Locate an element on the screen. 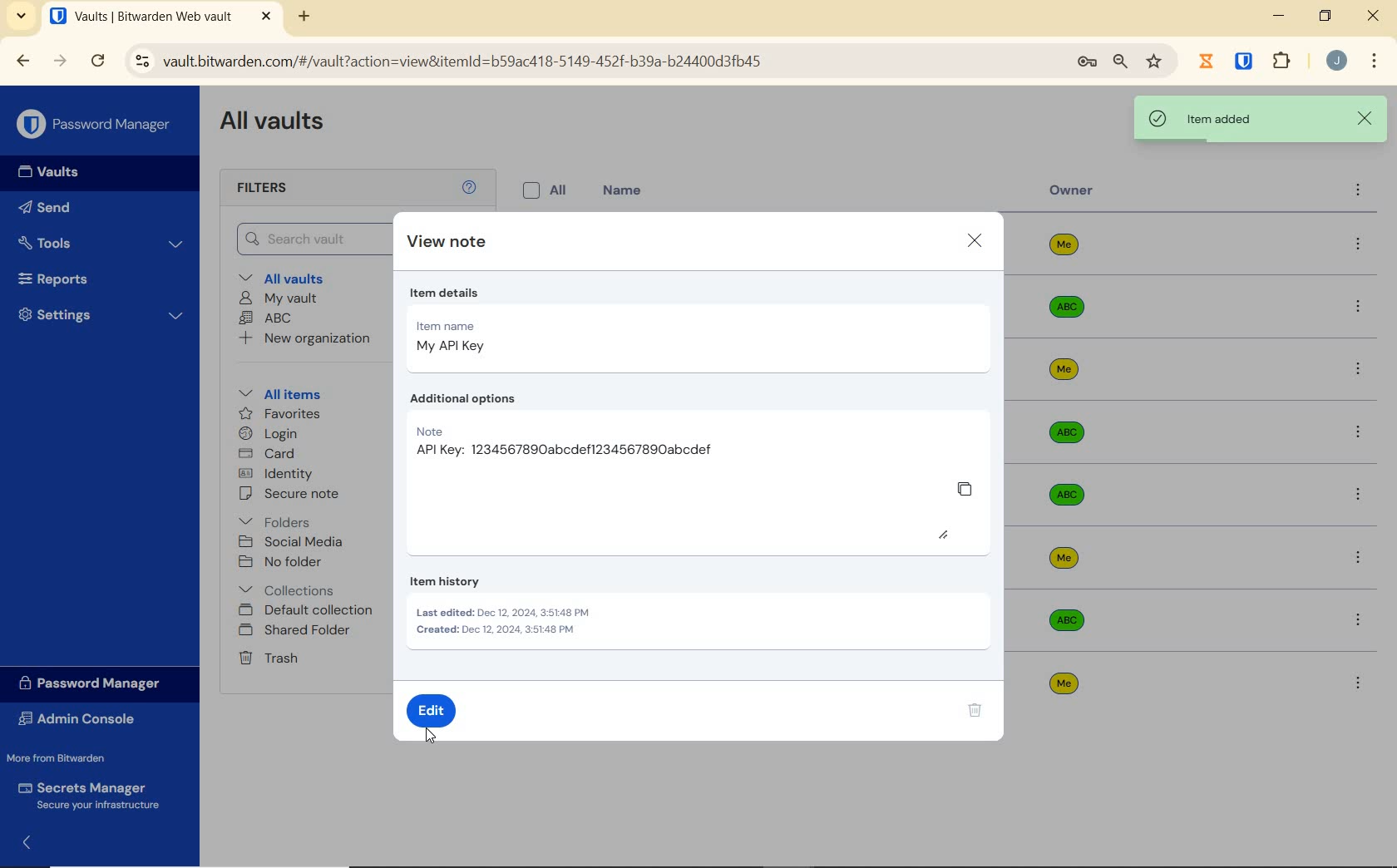 This screenshot has height=868, width=1397. address bar is located at coordinates (589, 61).